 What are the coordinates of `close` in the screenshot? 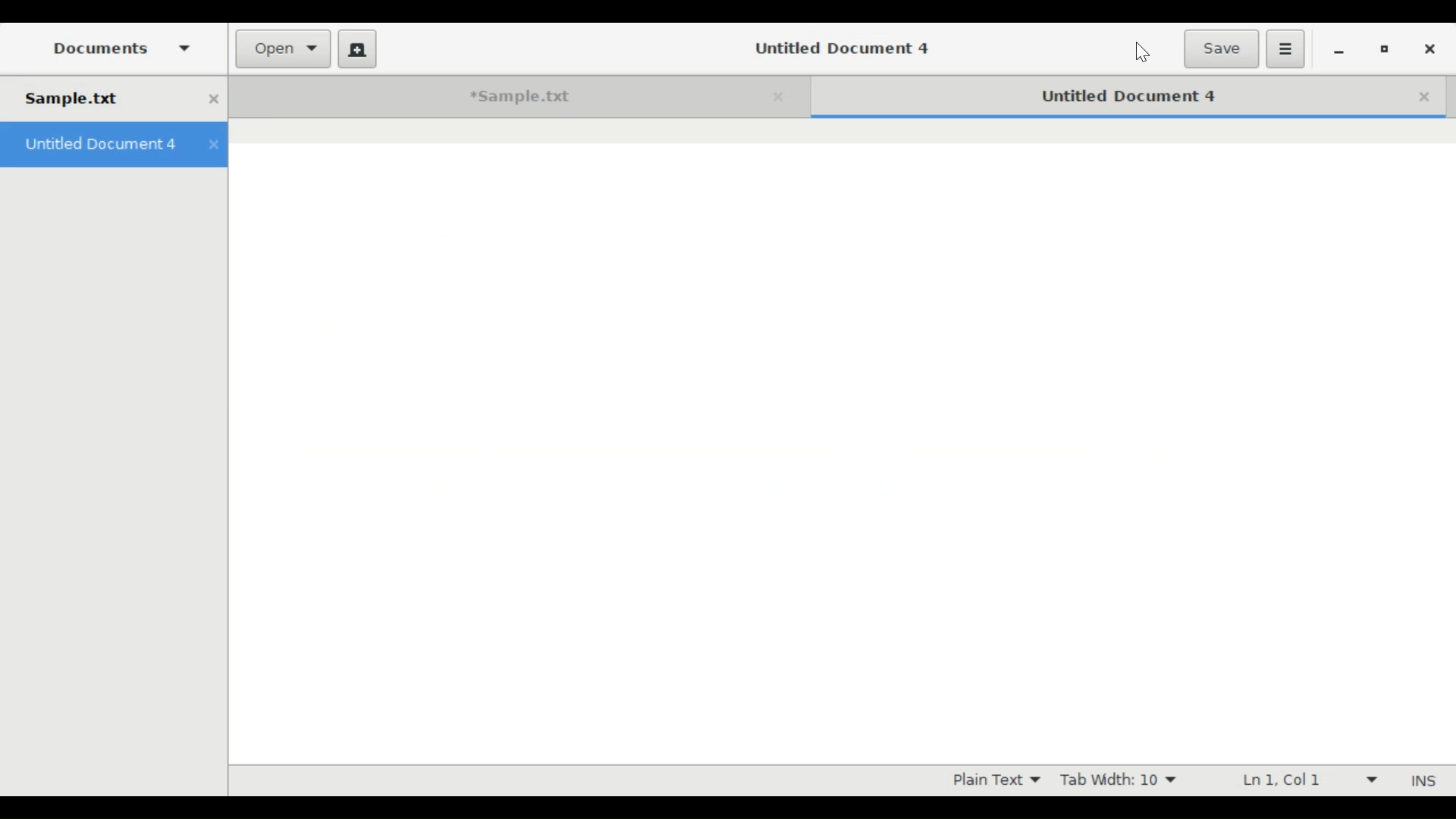 It's located at (215, 147).